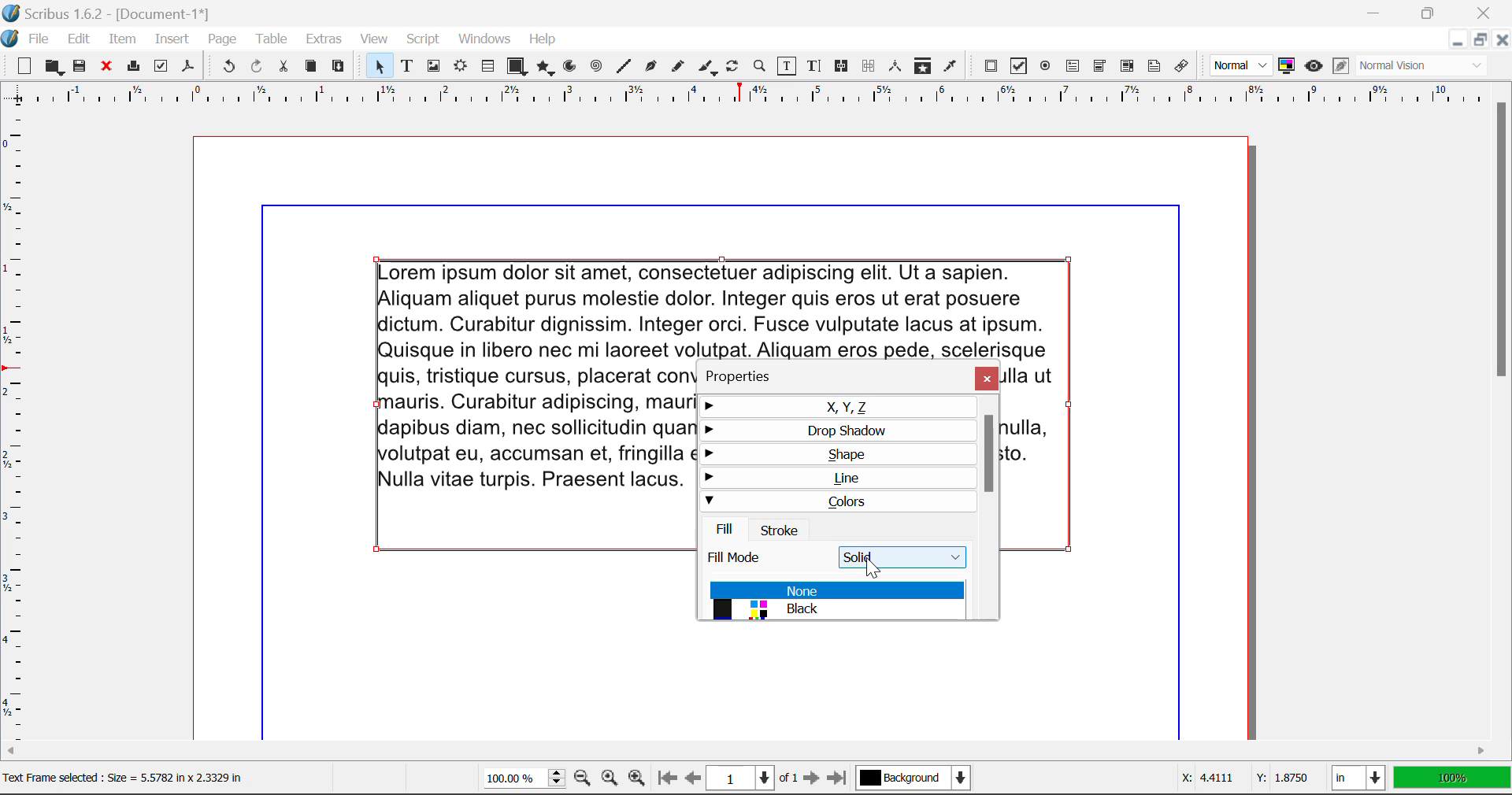 Image resolution: width=1512 pixels, height=795 pixels. What do you see at coordinates (837, 478) in the screenshot?
I see `Line` at bounding box center [837, 478].